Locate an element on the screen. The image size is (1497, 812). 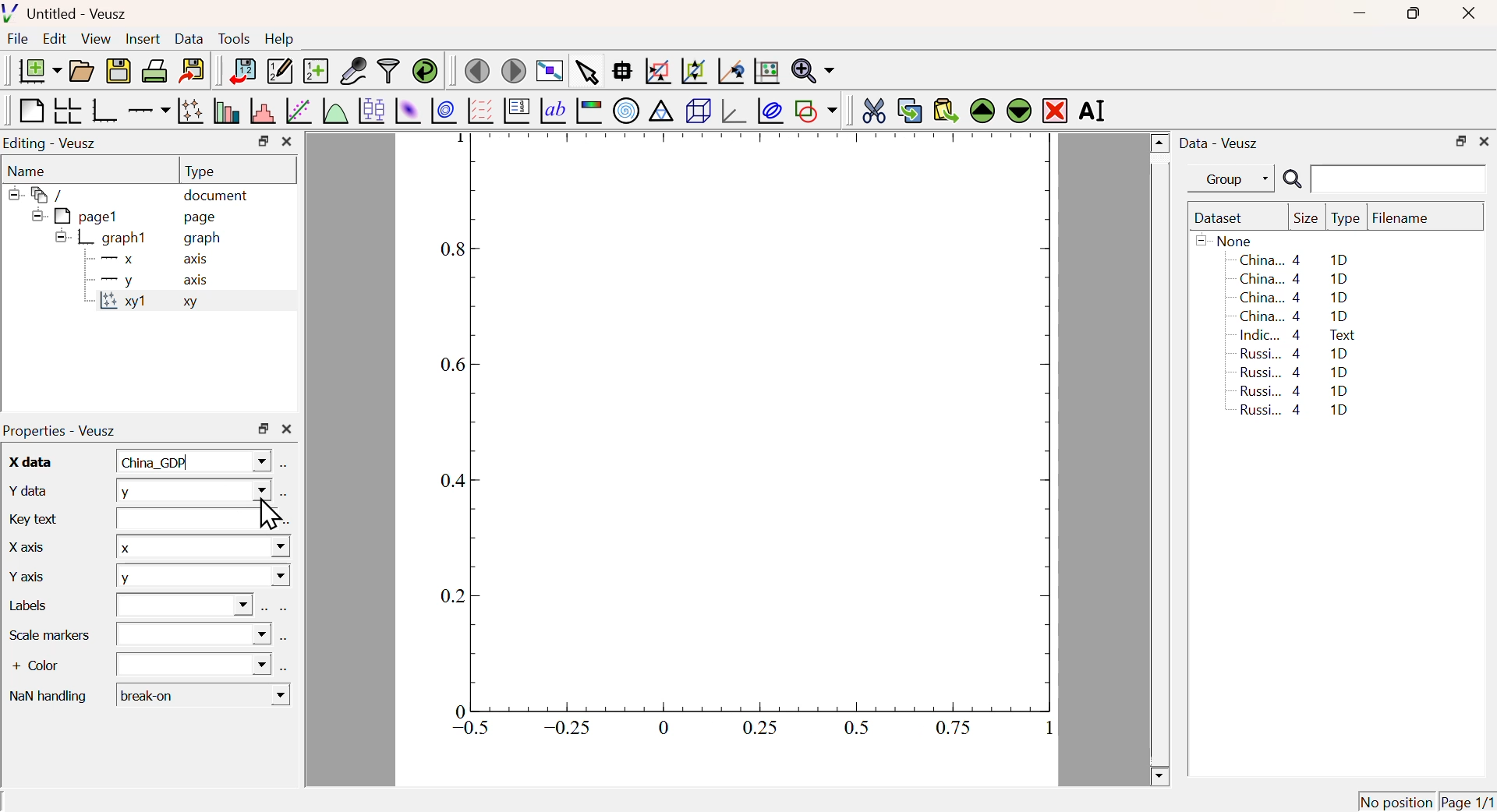
Untitled - Veusz is located at coordinates (69, 15).